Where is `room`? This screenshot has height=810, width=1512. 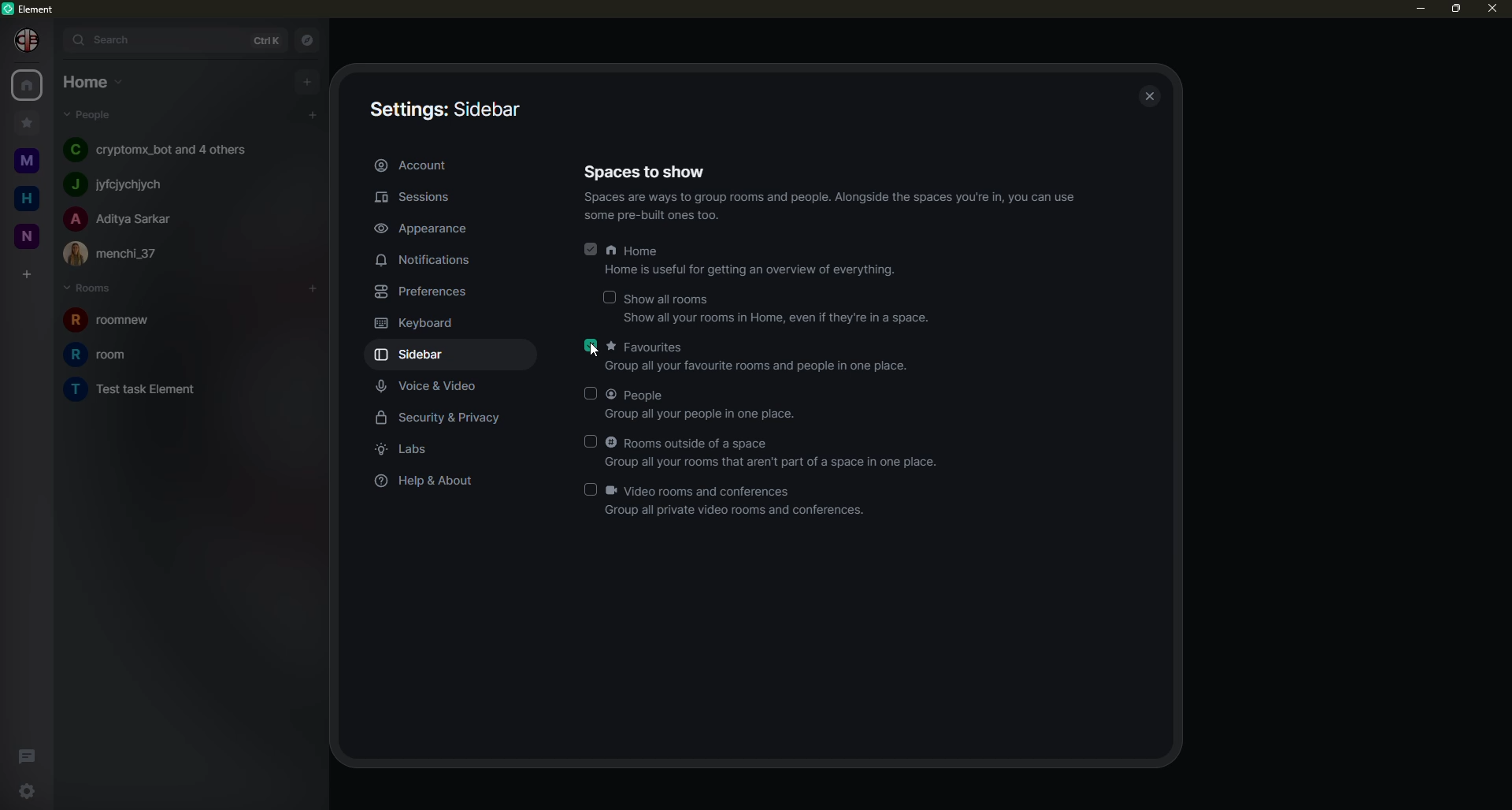 room is located at coordinates (104, 321).